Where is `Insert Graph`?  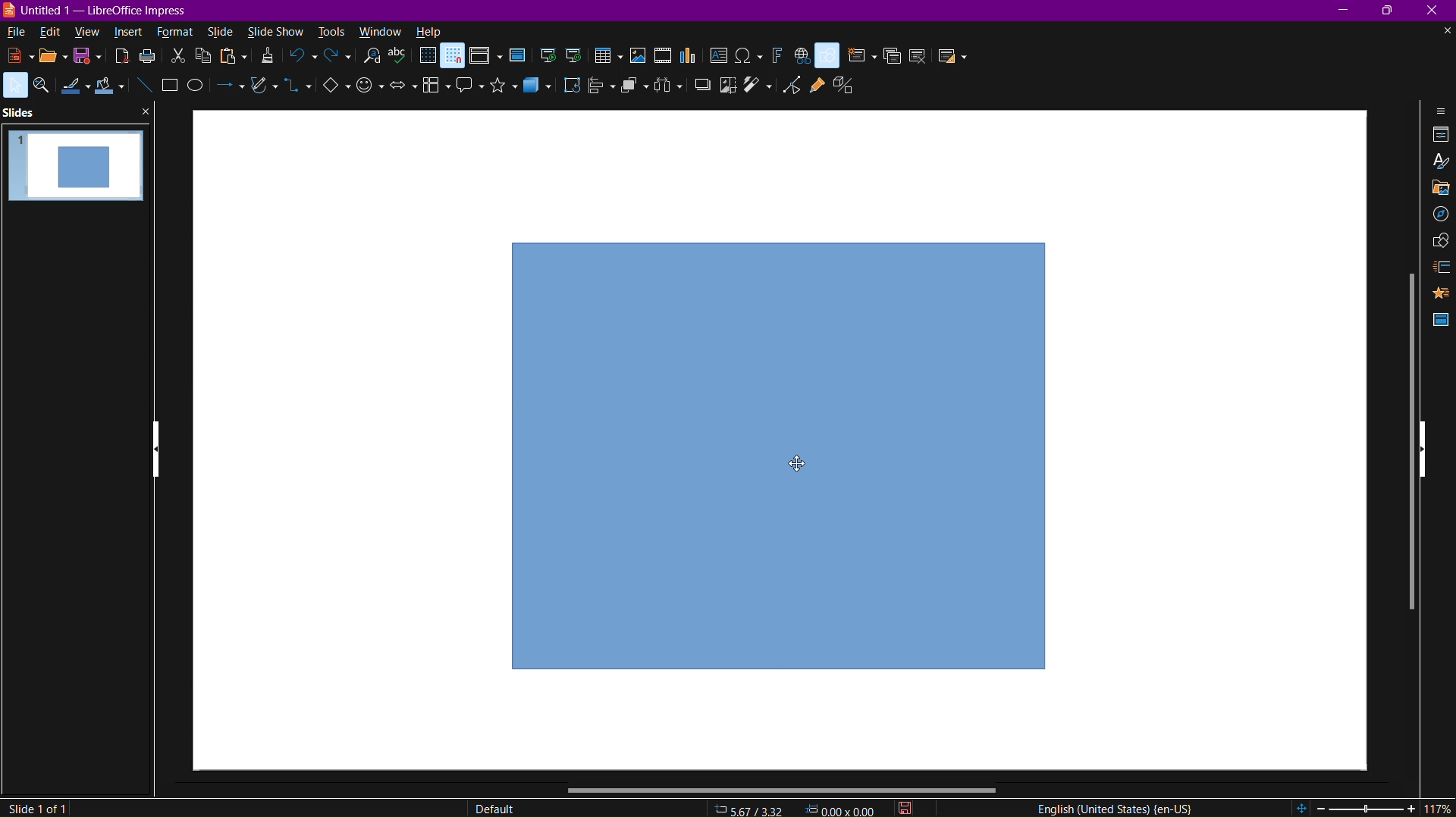 Insert Graph is located at coordinates (689, 57).